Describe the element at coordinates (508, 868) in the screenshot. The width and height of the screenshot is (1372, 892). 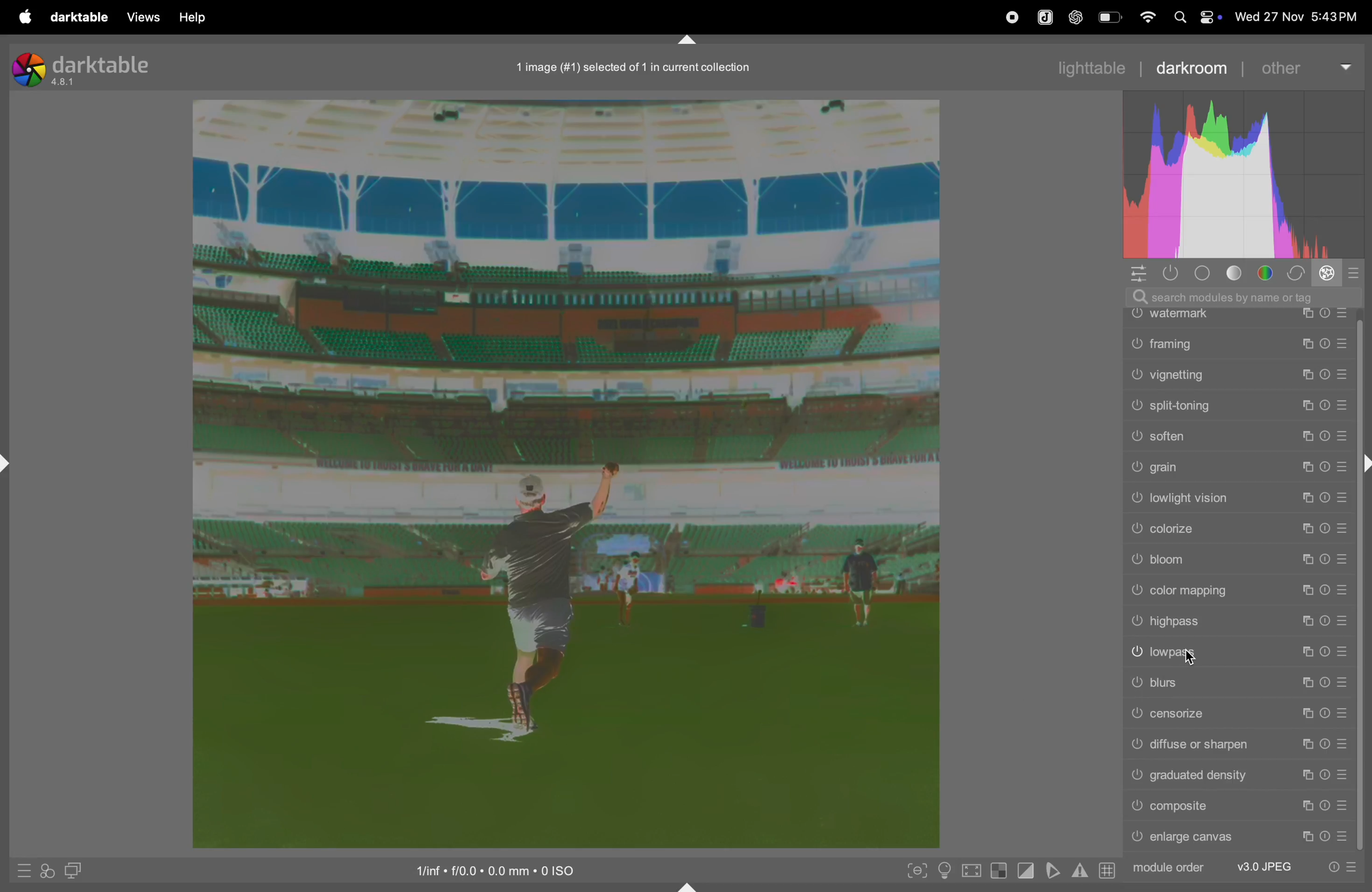
I see `iso` at that location.